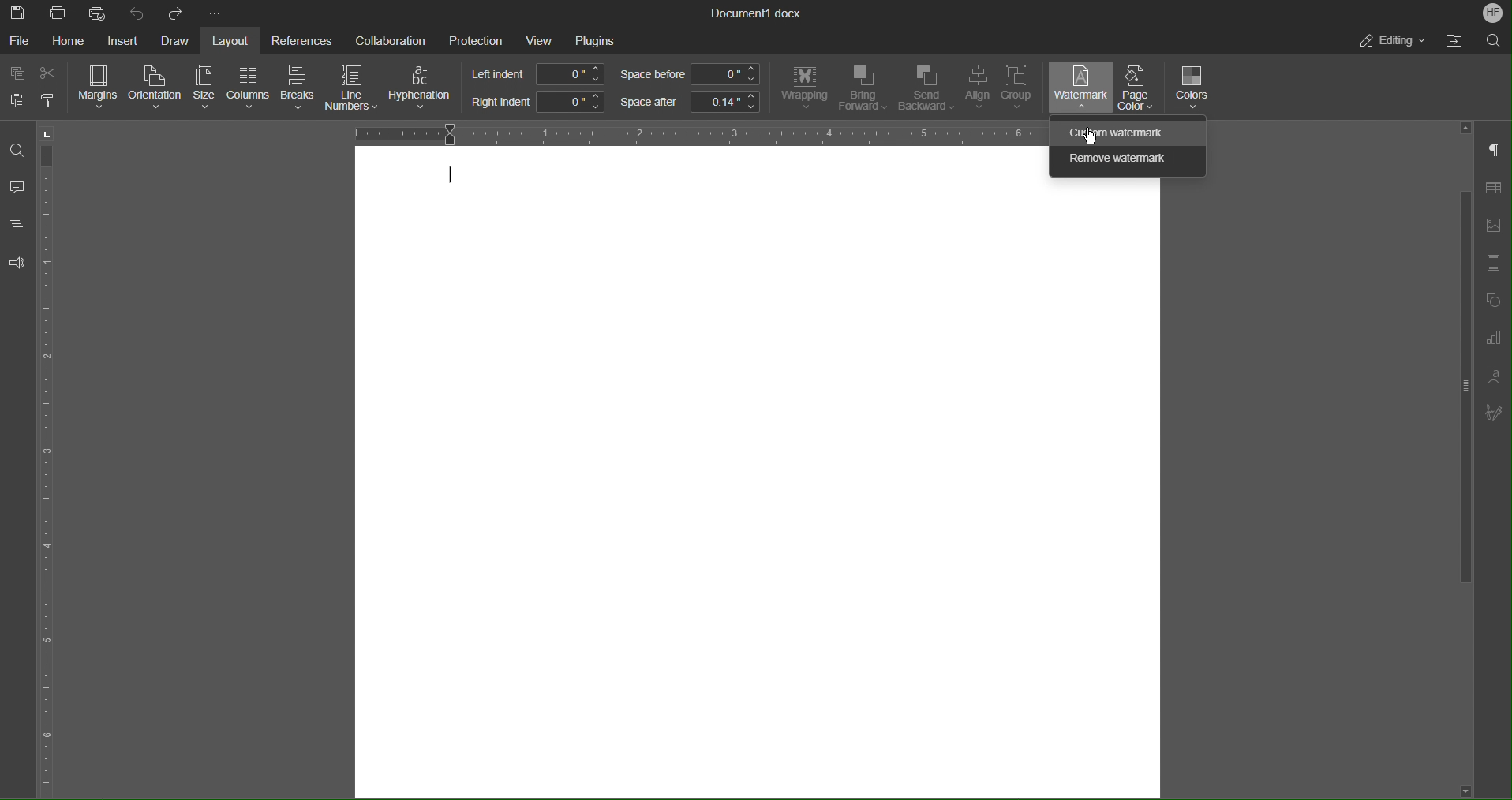 The height and width of the screenshot is (800, 1512). What do you see at coordinates (1493, 39) in the screenshot?
I see `Search` at bounding box center [1493, 39].